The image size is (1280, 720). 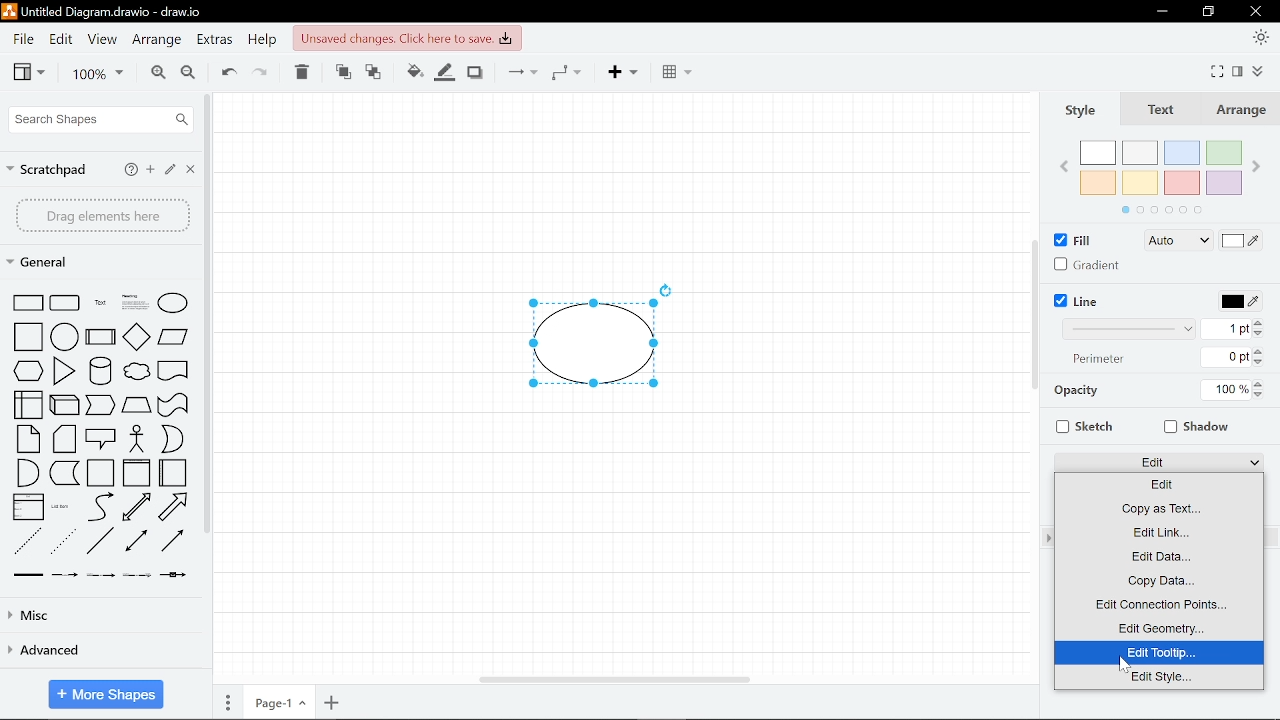 What do you see at coordinates (280, 702) in the screenshot?
I see `Current page` at bounding box center [280, 702].